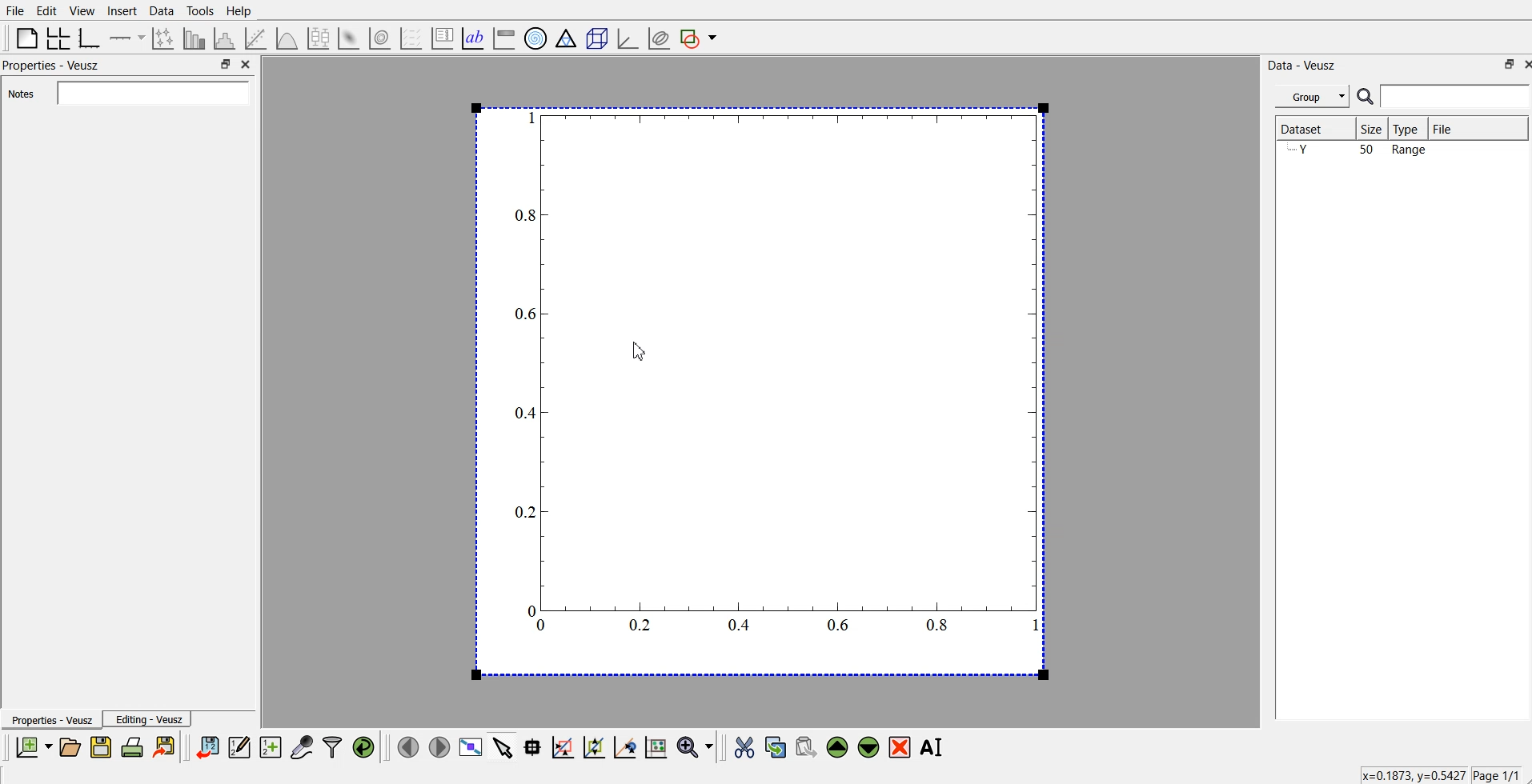  I want to click on Properties - Veusz, so click(53, 720).